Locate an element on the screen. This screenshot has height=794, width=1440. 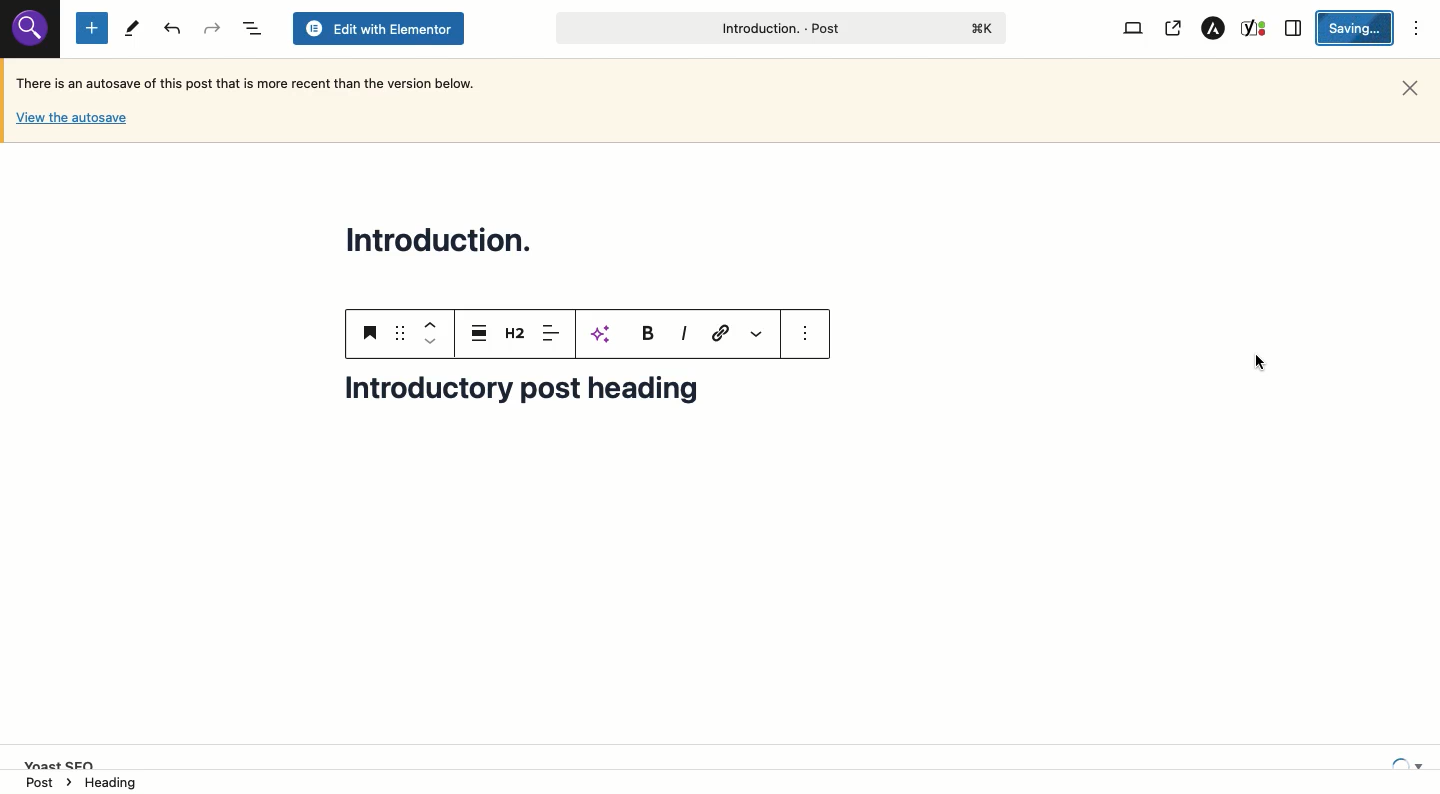
Italic is located at coordinates (684, 334).